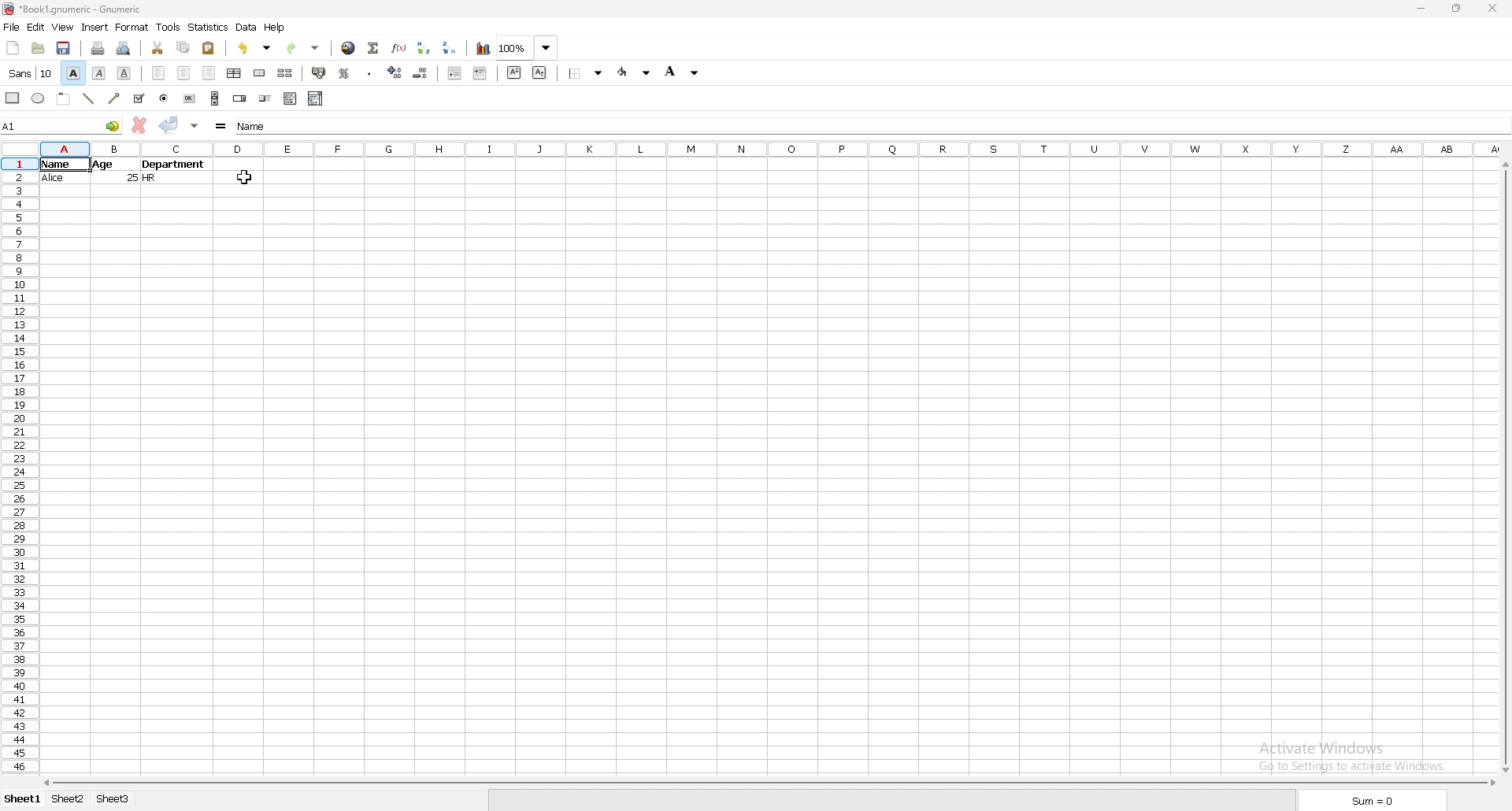 This screenshot has width=1512, height=811. Describe the element at coordinates (424, 48) in the screenshot. I see `sort ascending` at that location.